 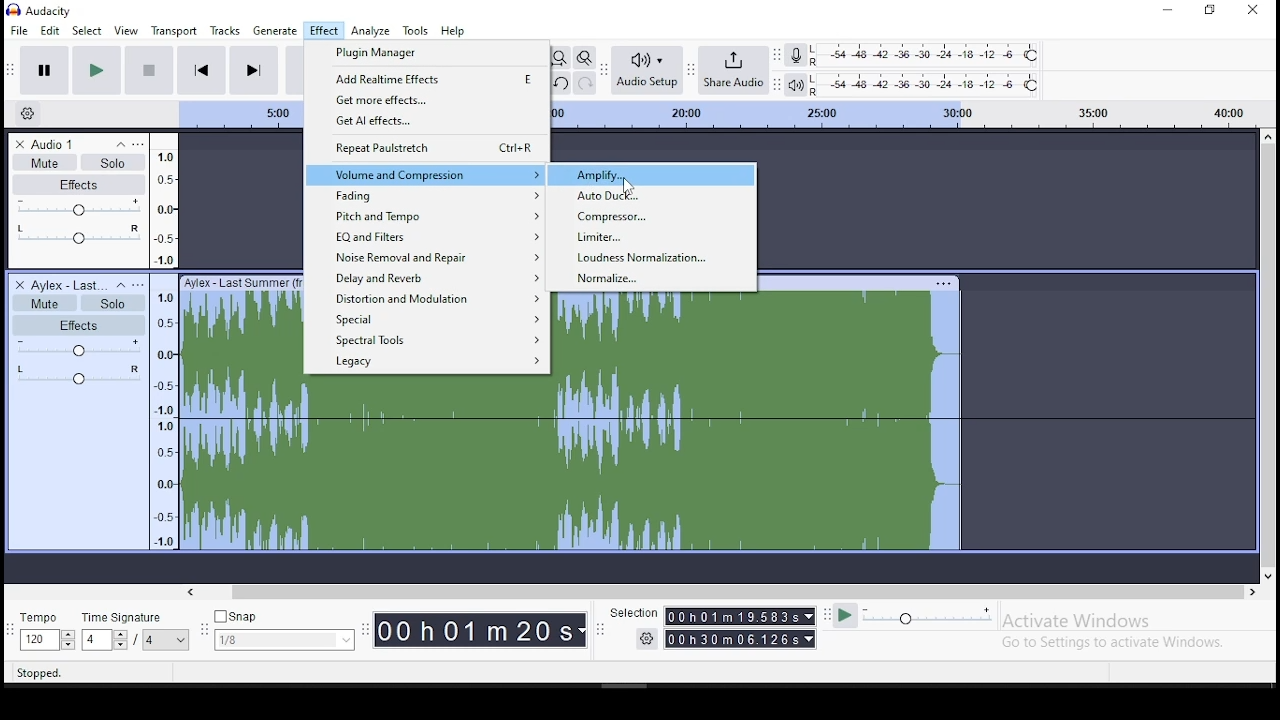 I want to click on spectral tools, so click(x=433, y=339).